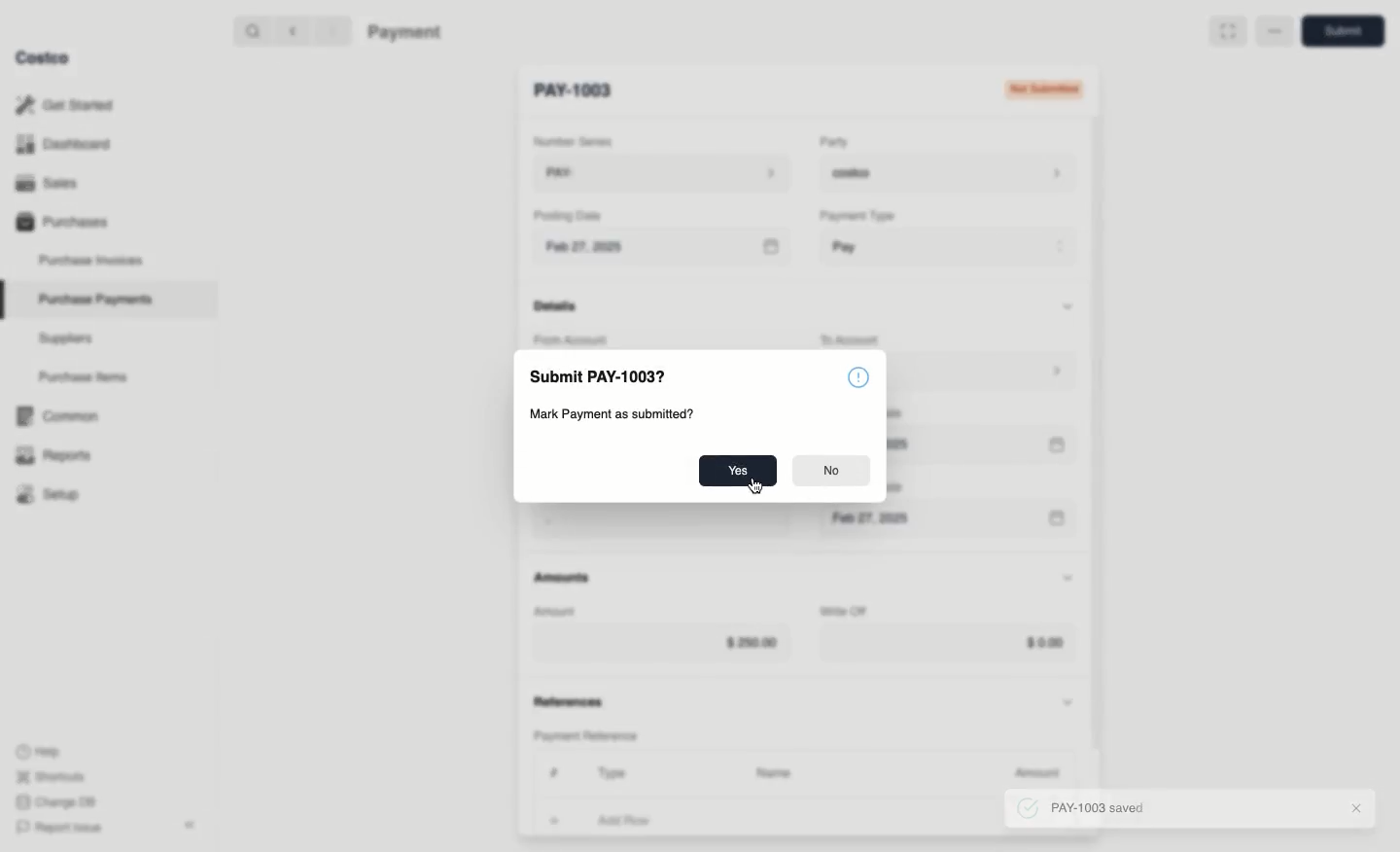 Image resolution: width=1400 pixels, height=852 pixels. Describe the element at coordinates (331, 30) in the screenshot. I see `Forward` at that location.